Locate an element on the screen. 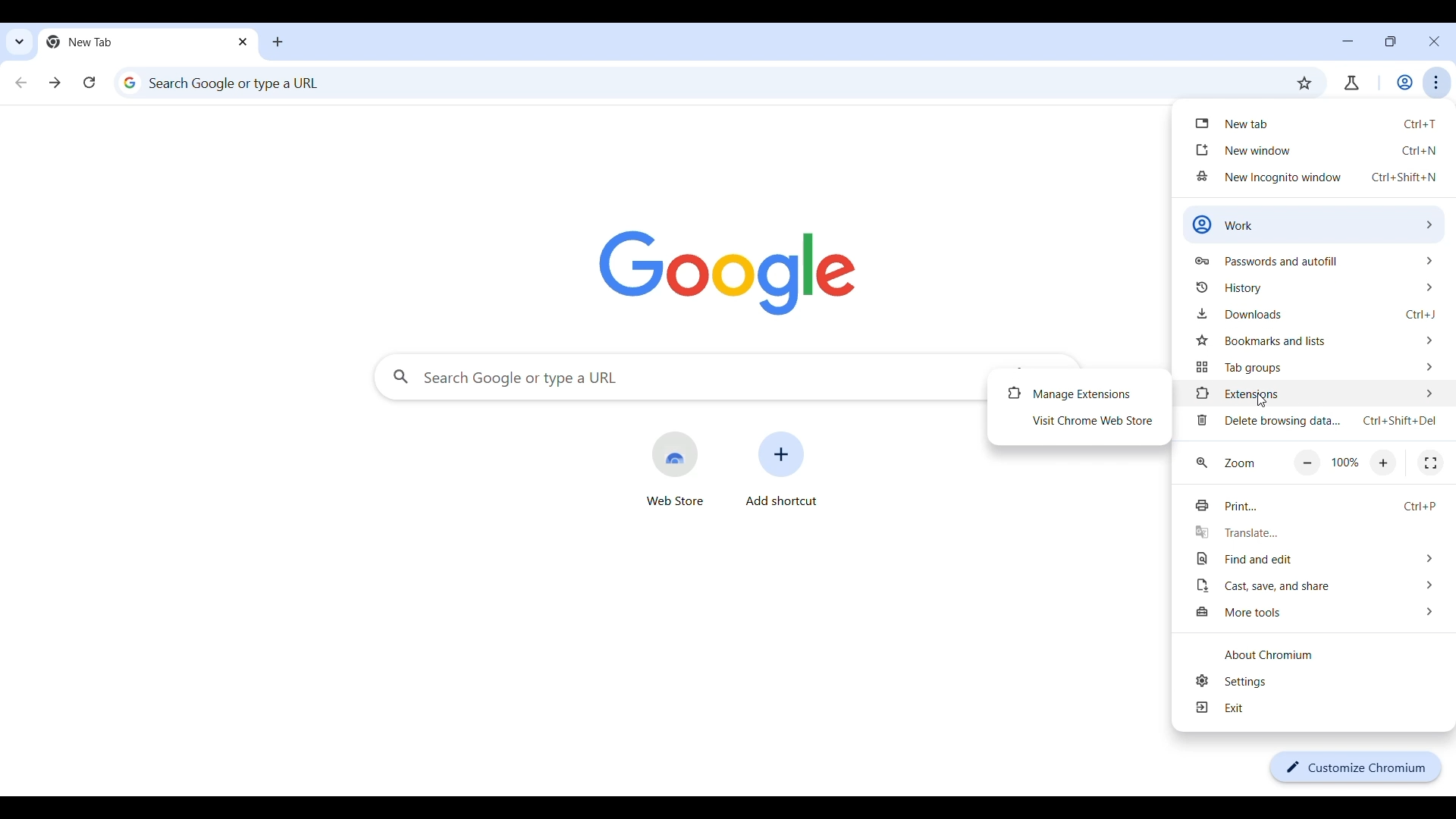 This screenshot has height=819, width=1456. Exit is located at coordinates (1322, 708).